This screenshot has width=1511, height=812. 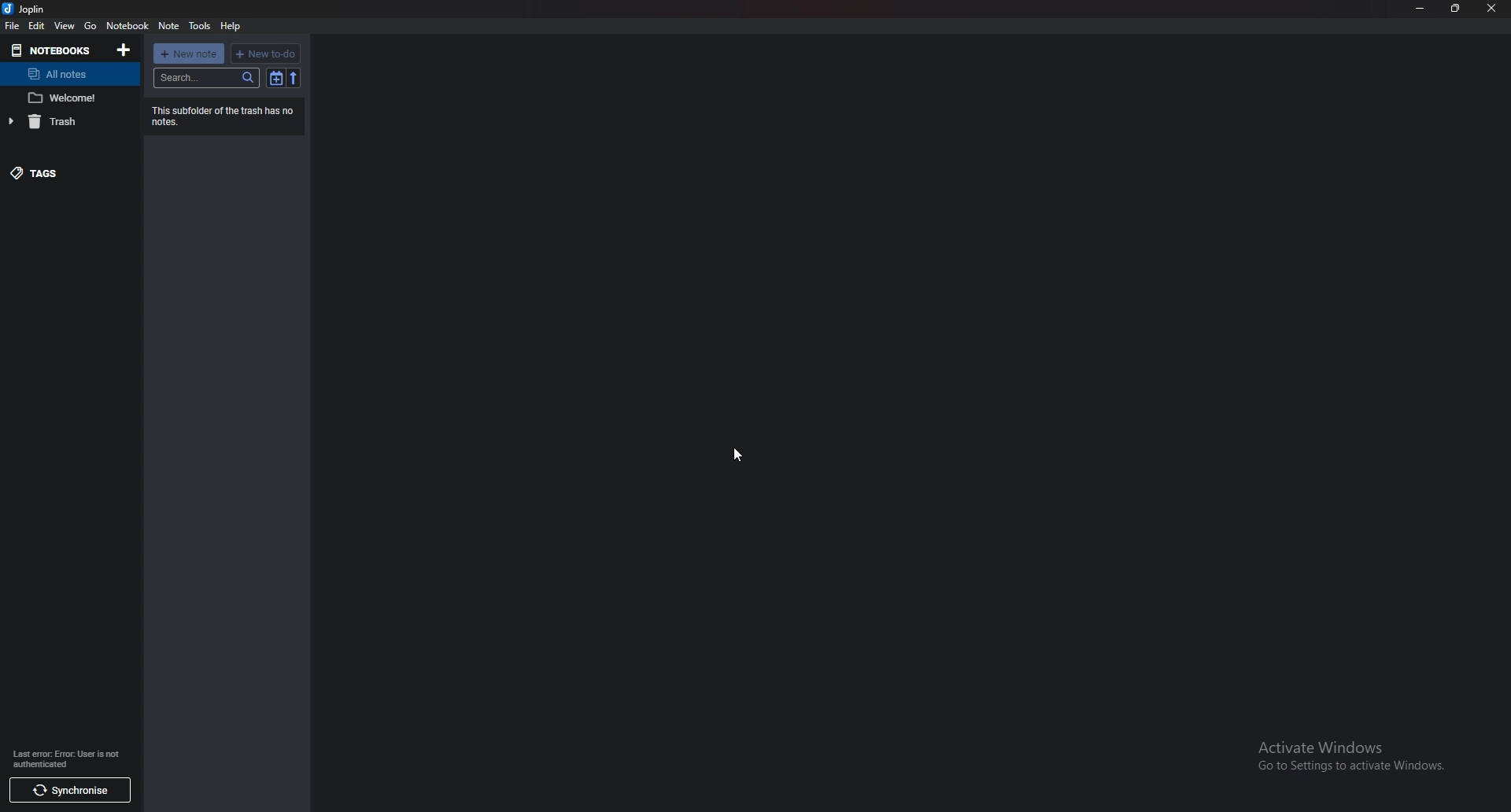 I want to click on add notebooks, so click(x=124, y=50).